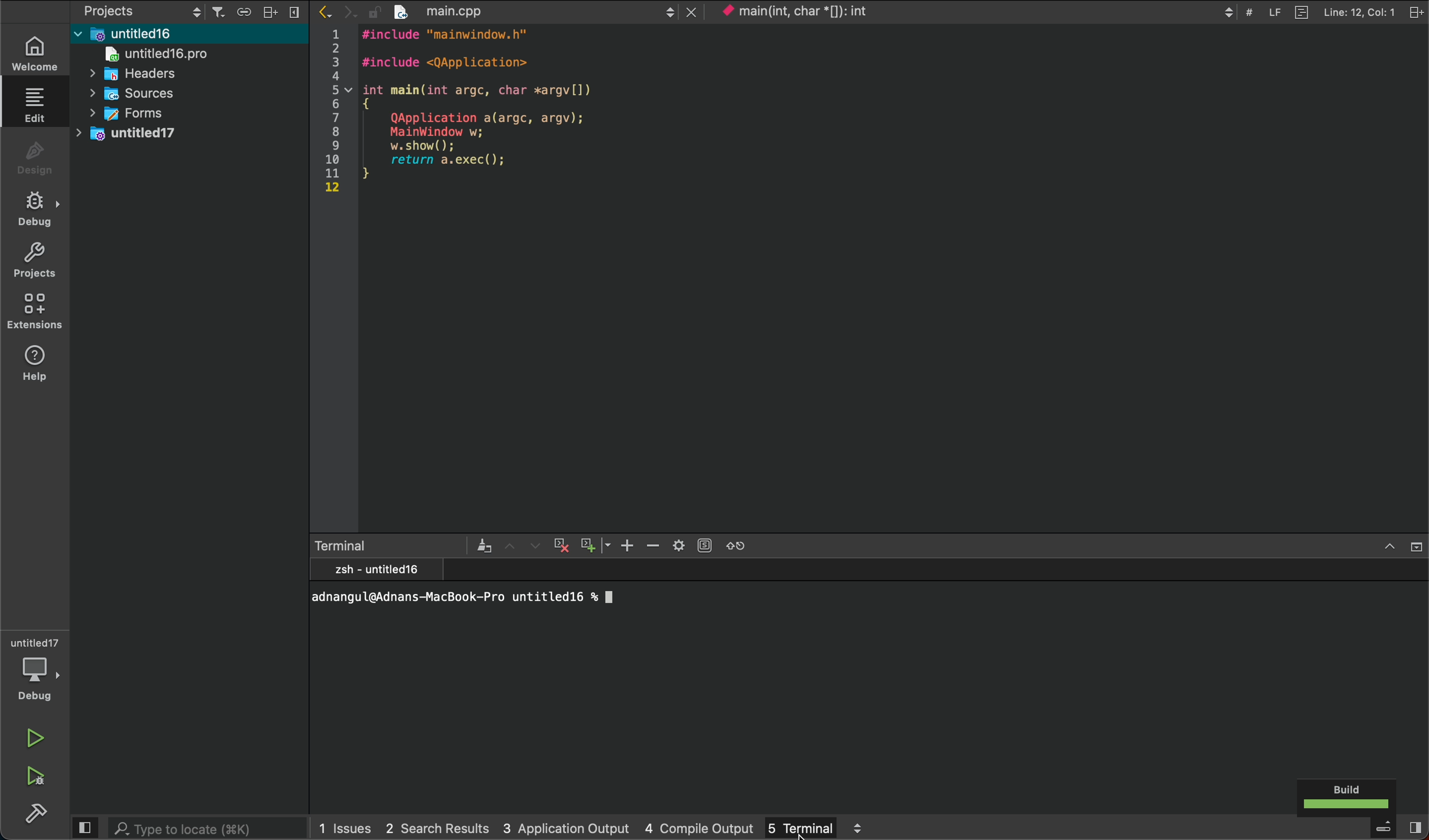 The image size is (1429, 840). I want to click on Search Results, so click(434, 827).